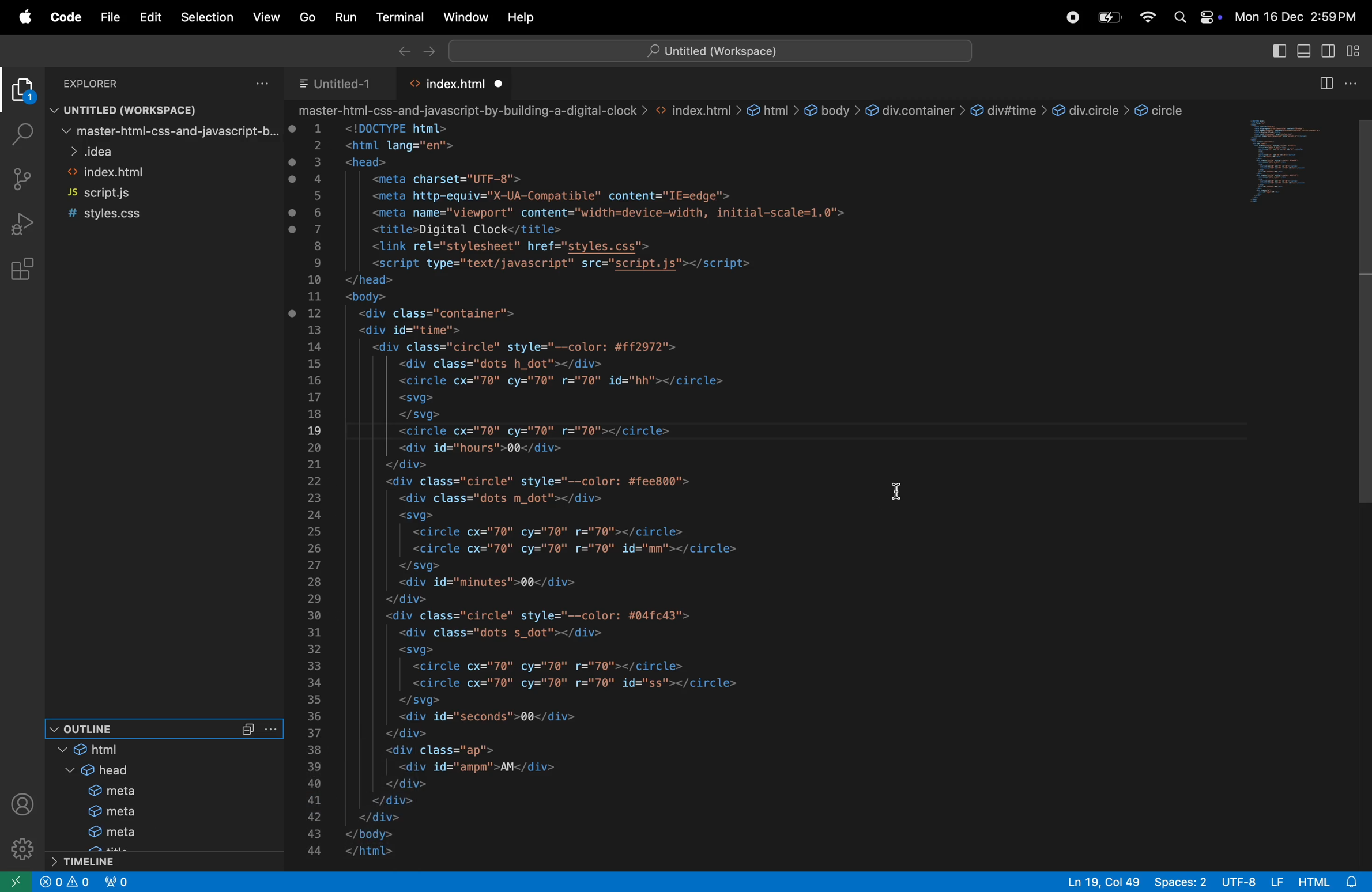 The width and height of the screenshot is (1372, 892). Describe the element at coordinates (462, 17) in the screenshot. I see `window` at that location.